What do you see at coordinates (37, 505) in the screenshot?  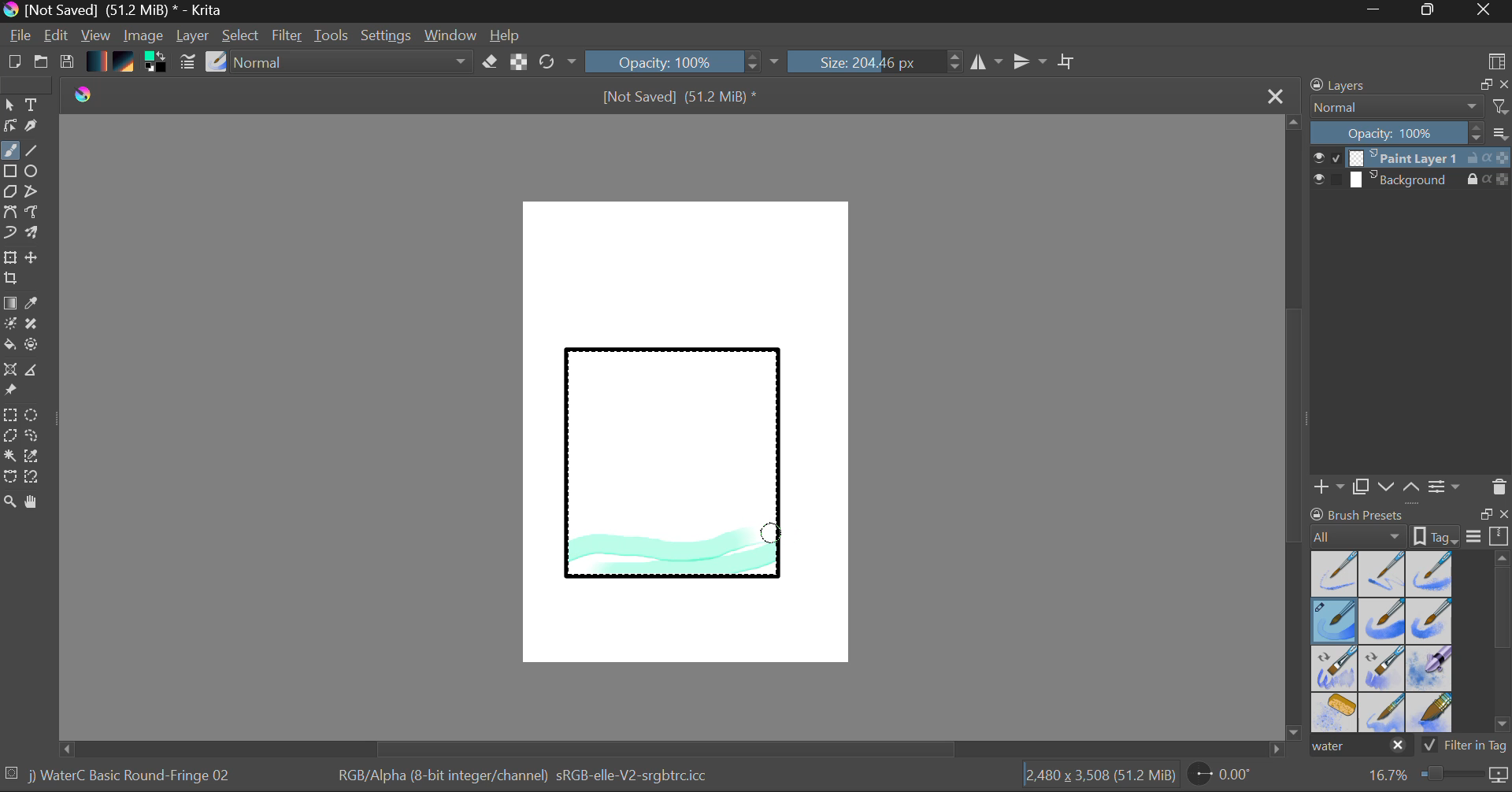 I see `Pan` at bounding box center [37, 505].